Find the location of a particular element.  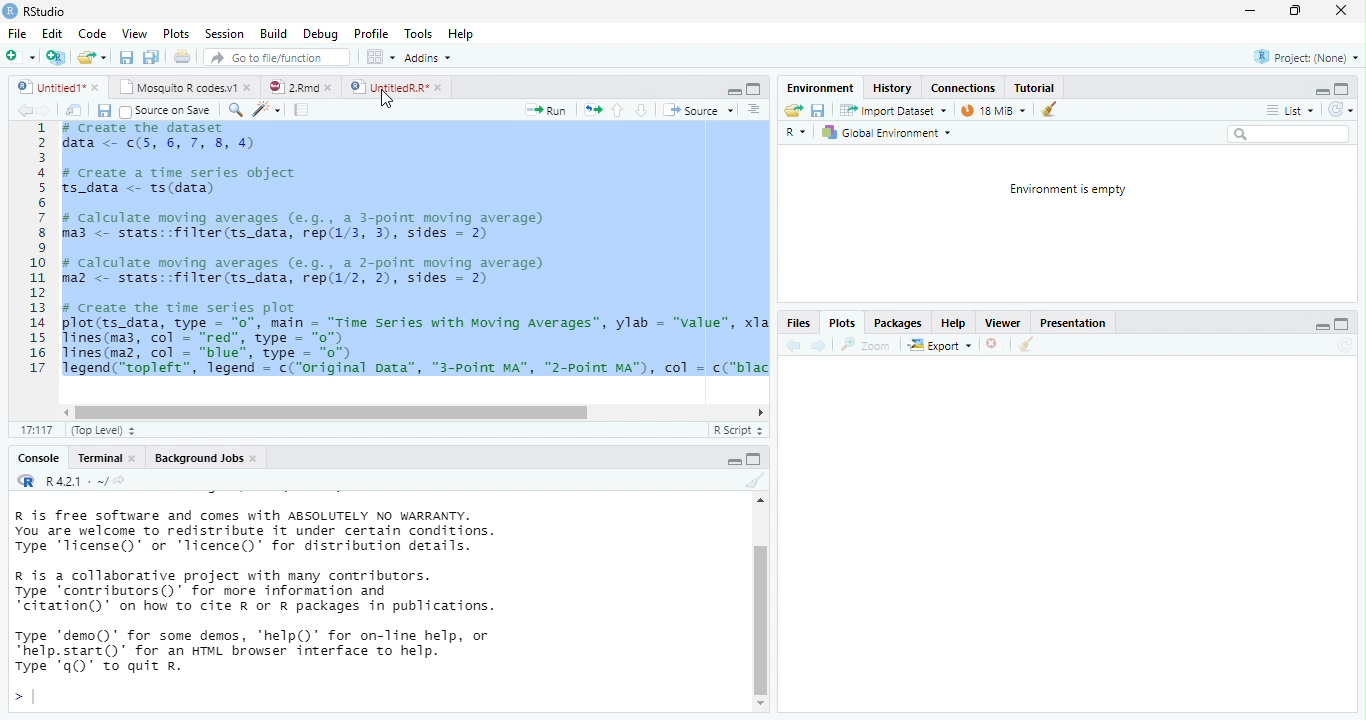

Global Environment is located at coordinates (886, 133).